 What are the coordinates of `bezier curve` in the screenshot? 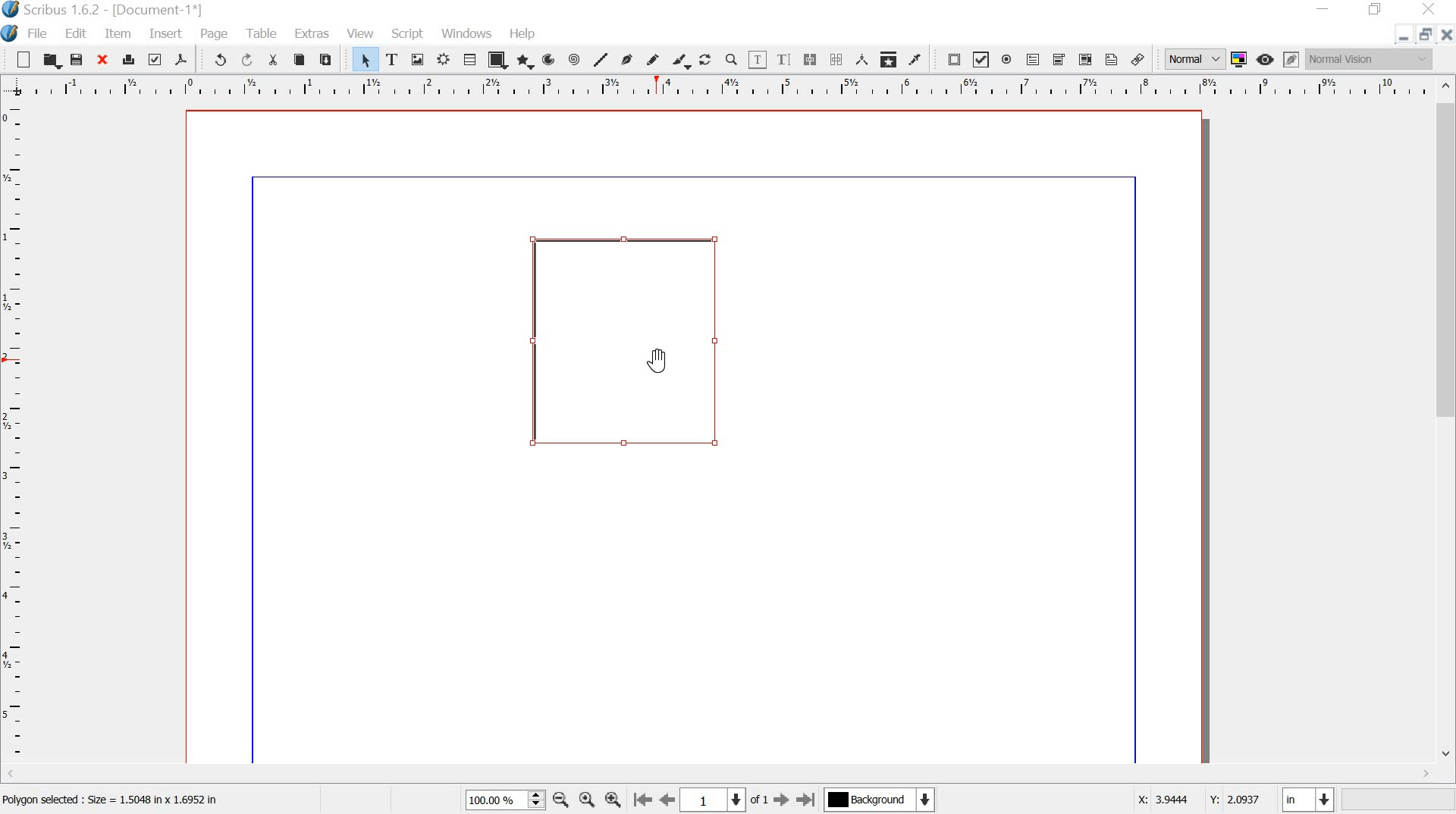 It's located at (630, 59).